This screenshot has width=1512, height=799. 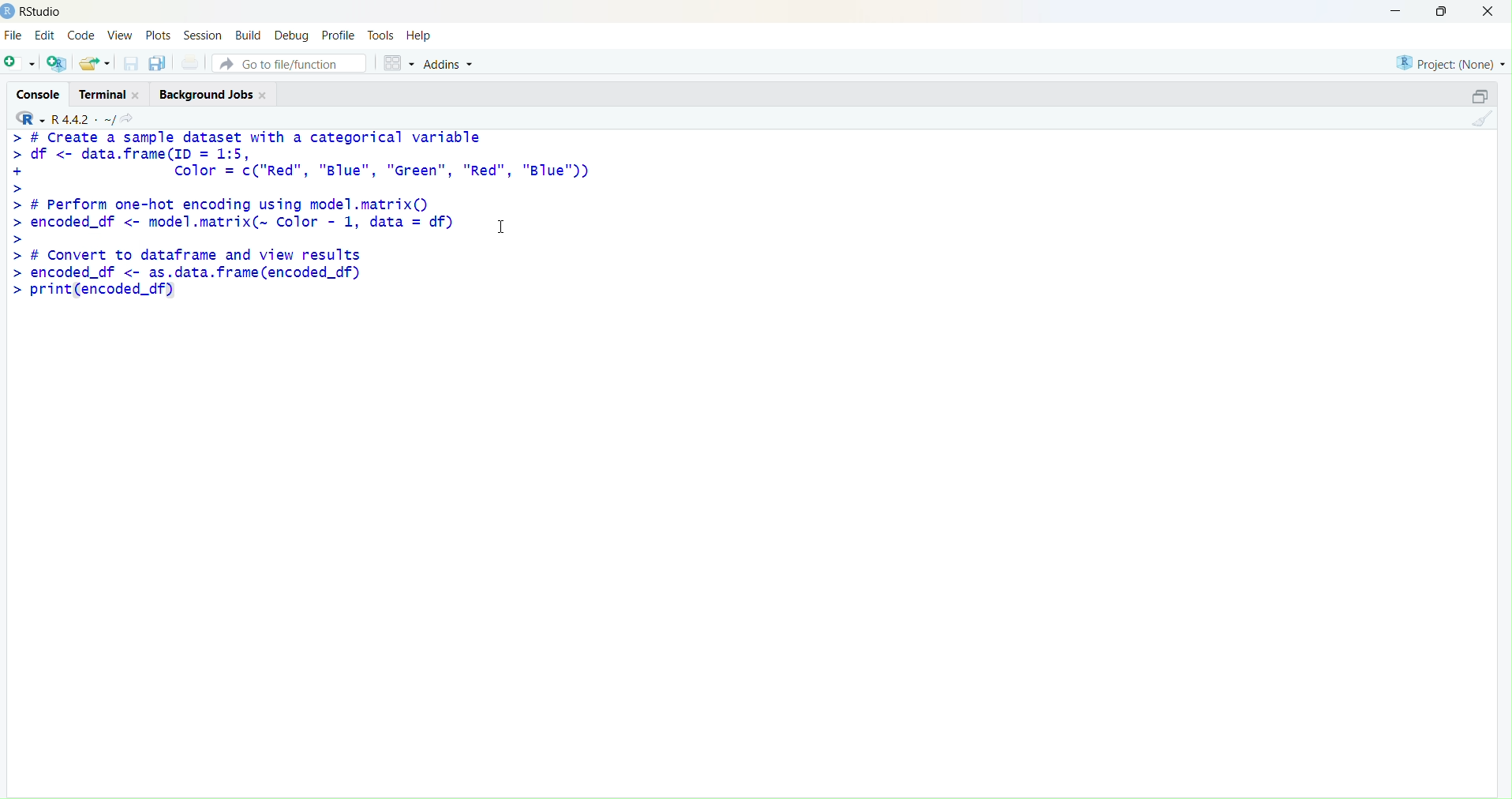 What do you see at coordinates (57, 63) in the screenshot?
I see `add R file` at bounding box center [57, 63].